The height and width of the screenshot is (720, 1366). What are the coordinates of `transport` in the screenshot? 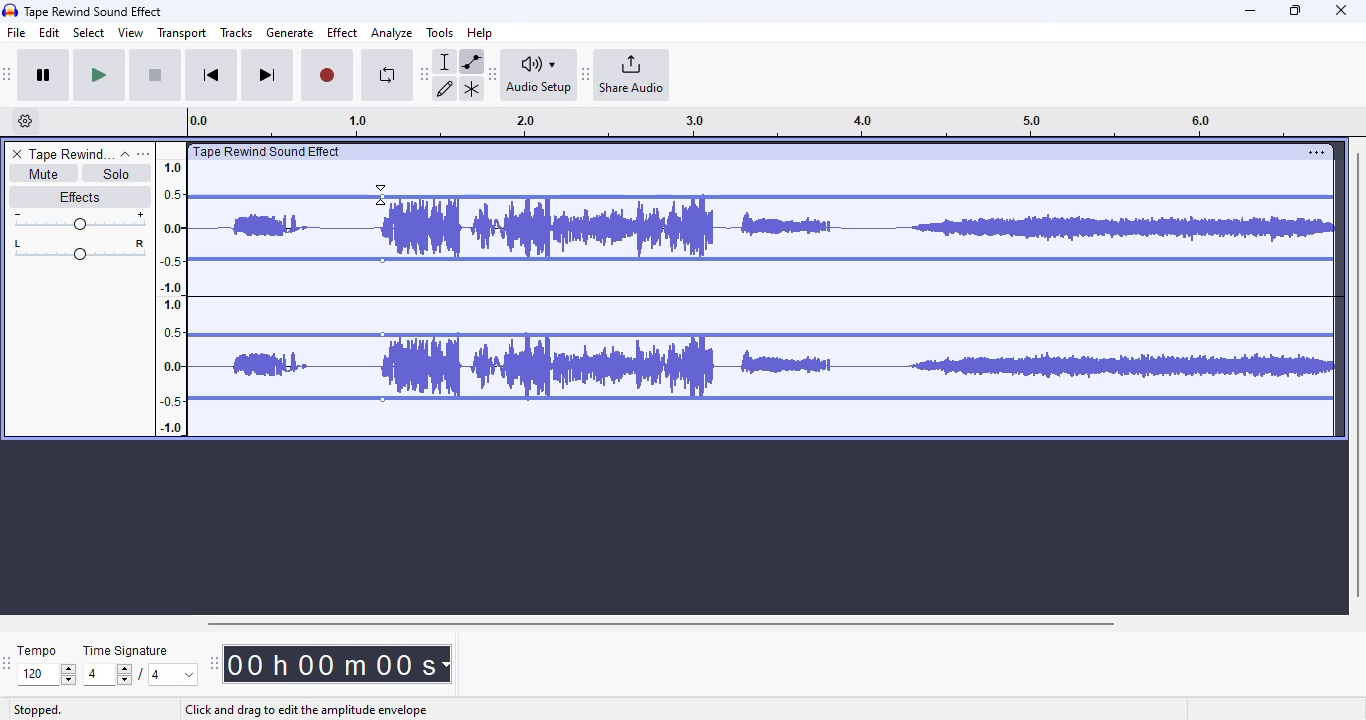 It's located at (183, 33).